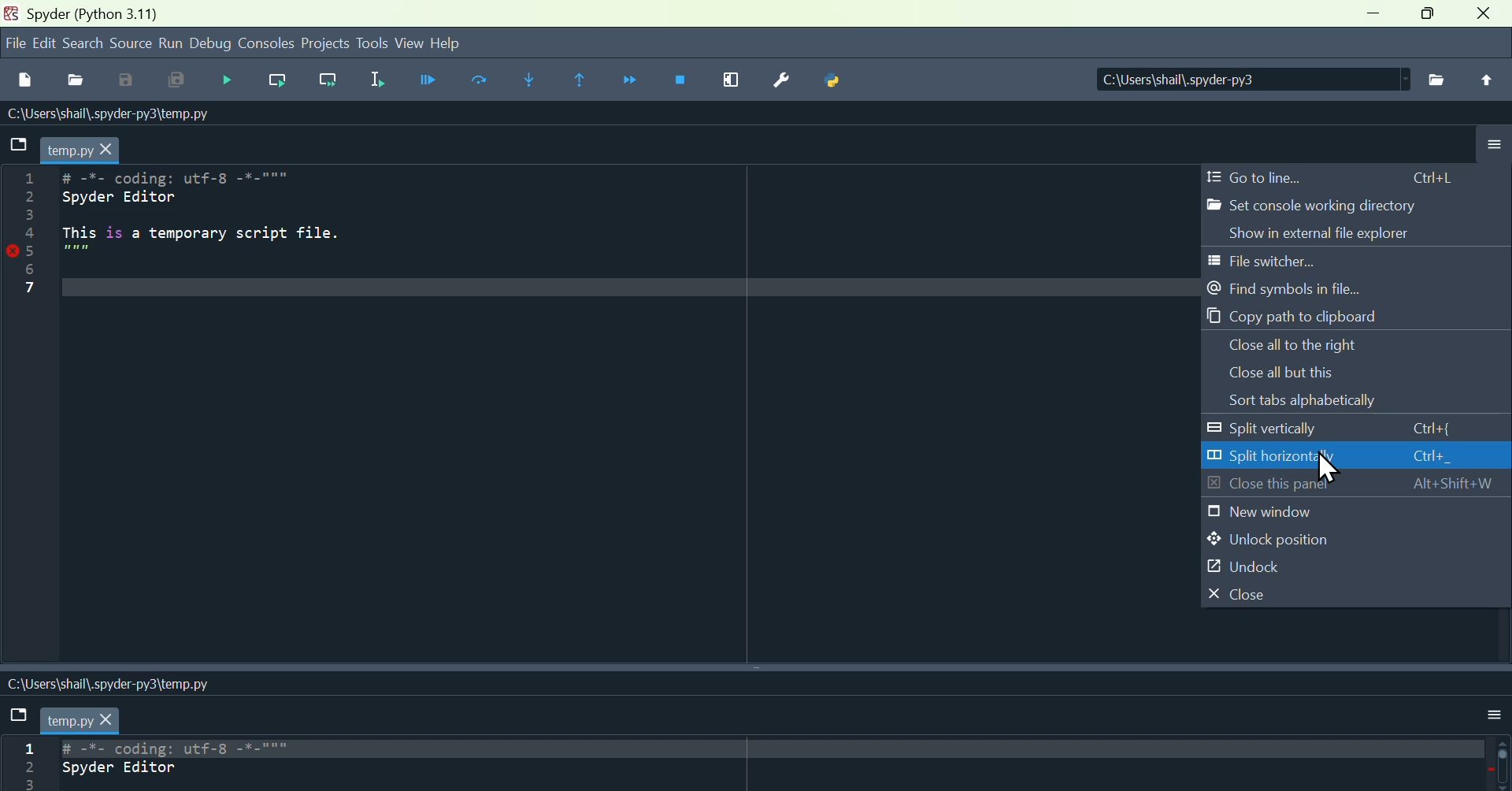 The height and width of the screenshot is (791, 1512). What do you see at coordinates (752, 665) in the screenshot?
I see `Vertical split screens` at bounding box center [752, 665].